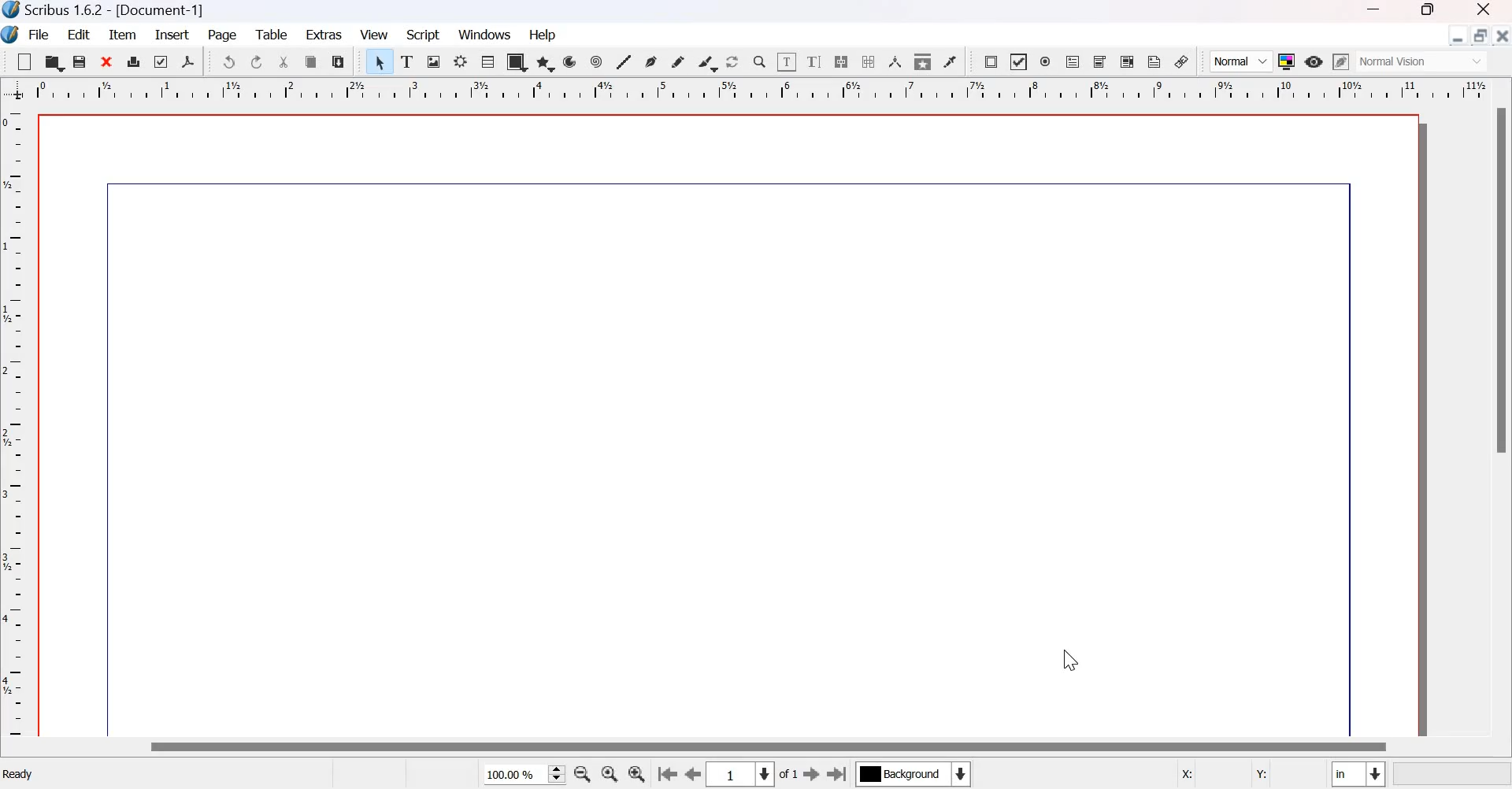 The image size is (1512, 789). What do you see at coordinates (1422, 61) in the screenshot?
I see `normal vision` at bounding box center [1422, 61].